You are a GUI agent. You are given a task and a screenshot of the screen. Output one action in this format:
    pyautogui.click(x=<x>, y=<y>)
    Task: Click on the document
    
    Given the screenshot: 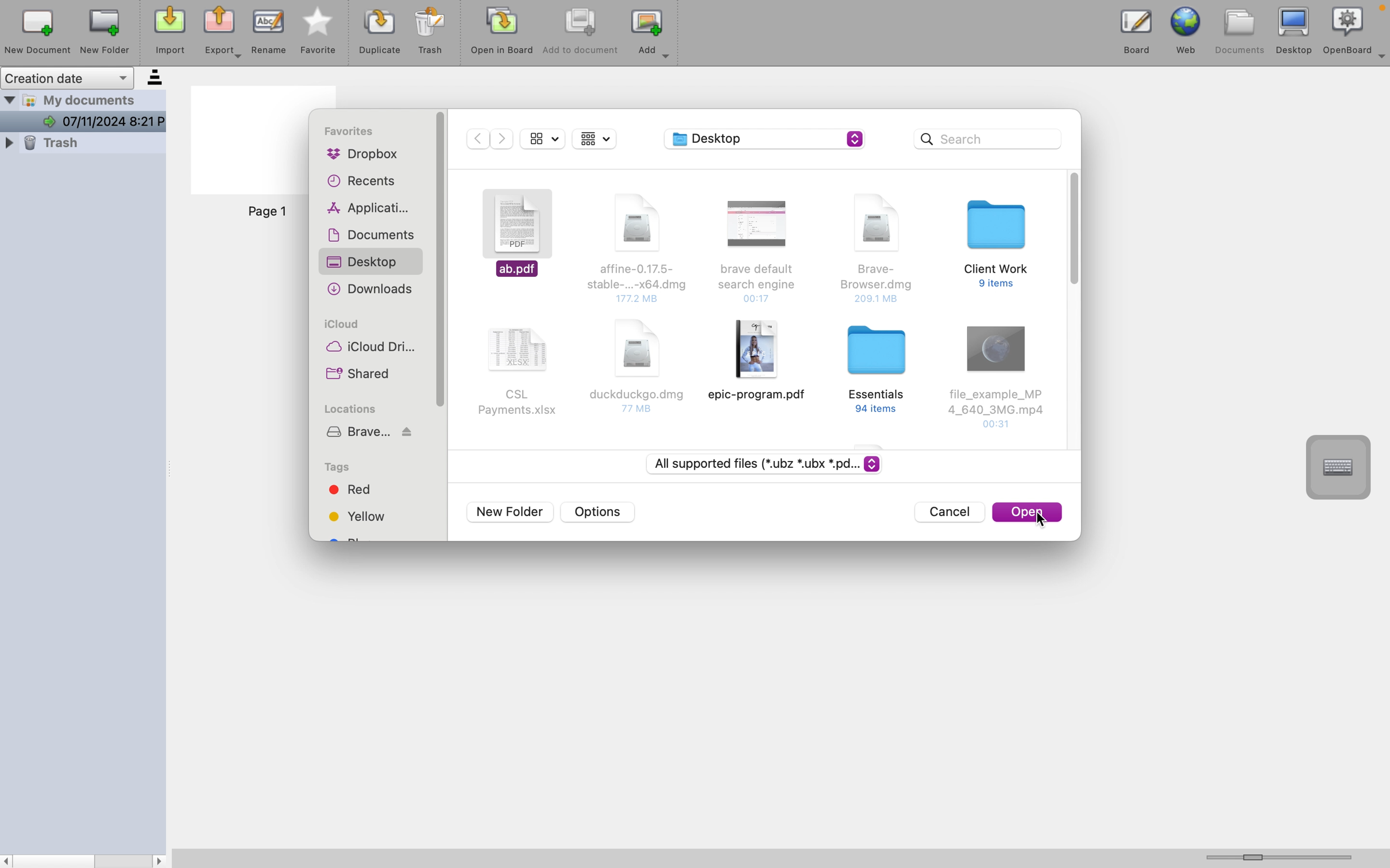 What is the action you would take?
    pyautogui.click(x=644, y=369)
    